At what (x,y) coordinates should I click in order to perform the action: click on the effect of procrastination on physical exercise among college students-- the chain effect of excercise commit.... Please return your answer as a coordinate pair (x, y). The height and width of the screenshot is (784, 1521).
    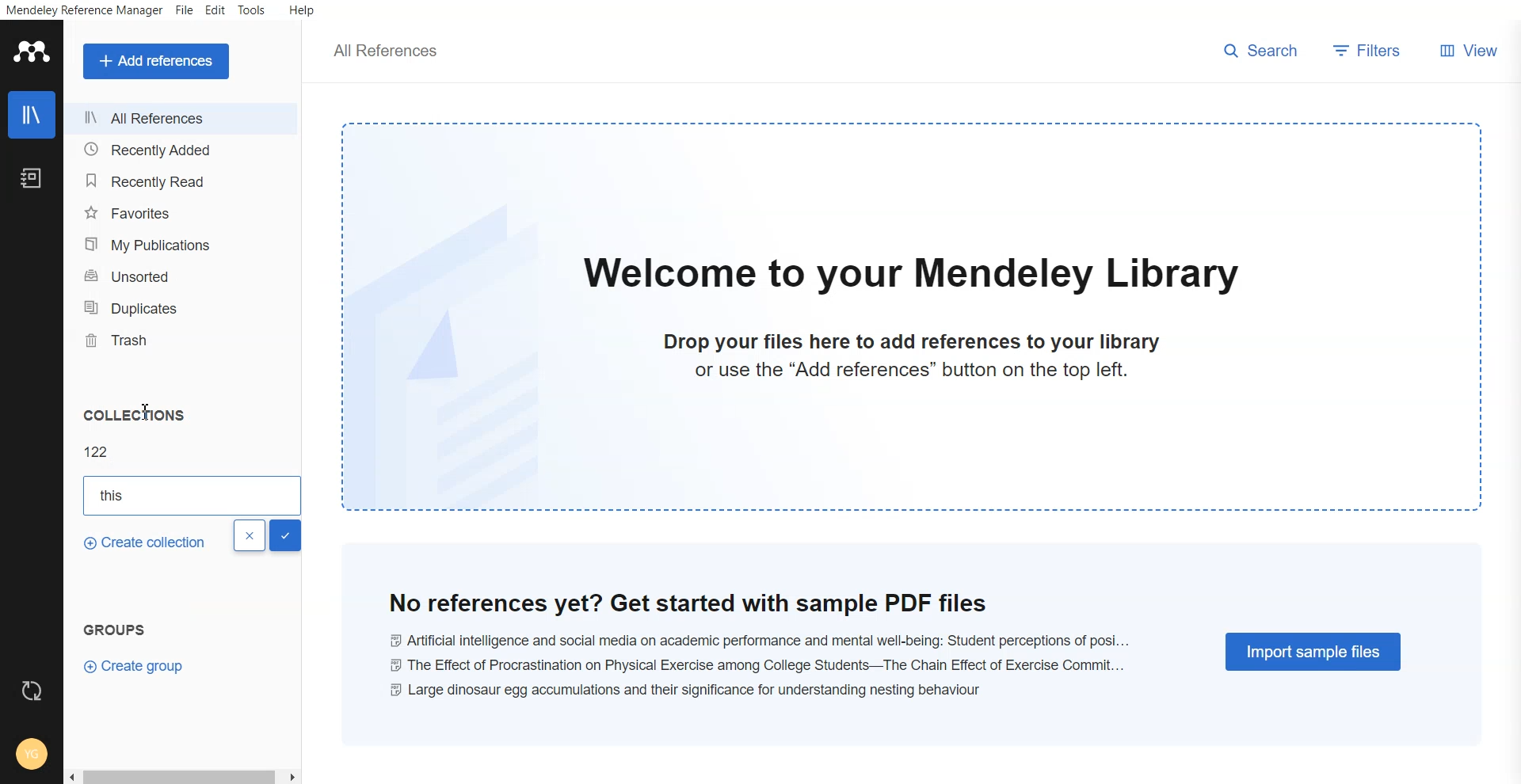
    Looking at the image, I should click on (760, 663).